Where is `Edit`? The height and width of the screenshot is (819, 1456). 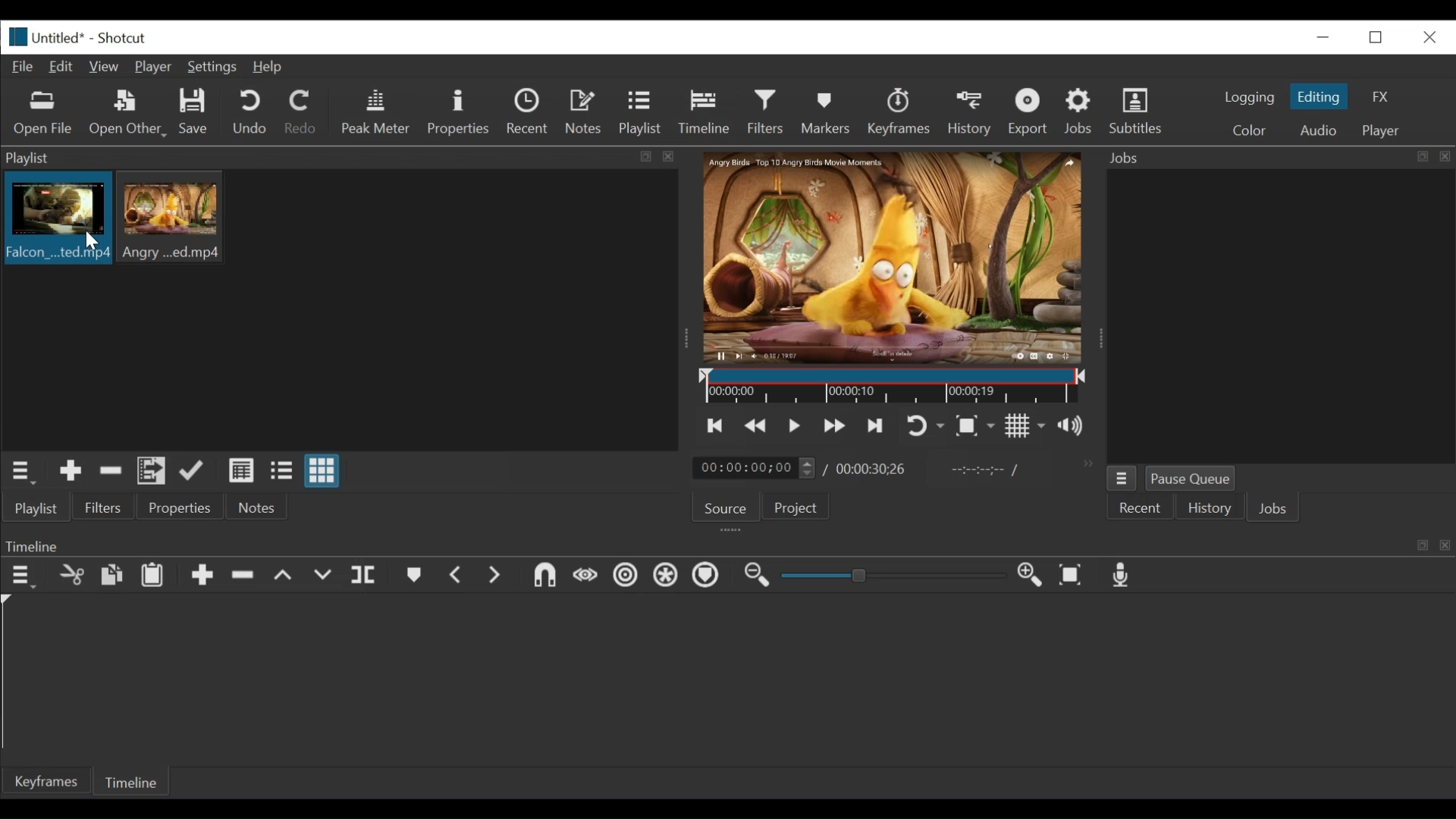 Edit is located at coordinates (64, 65).